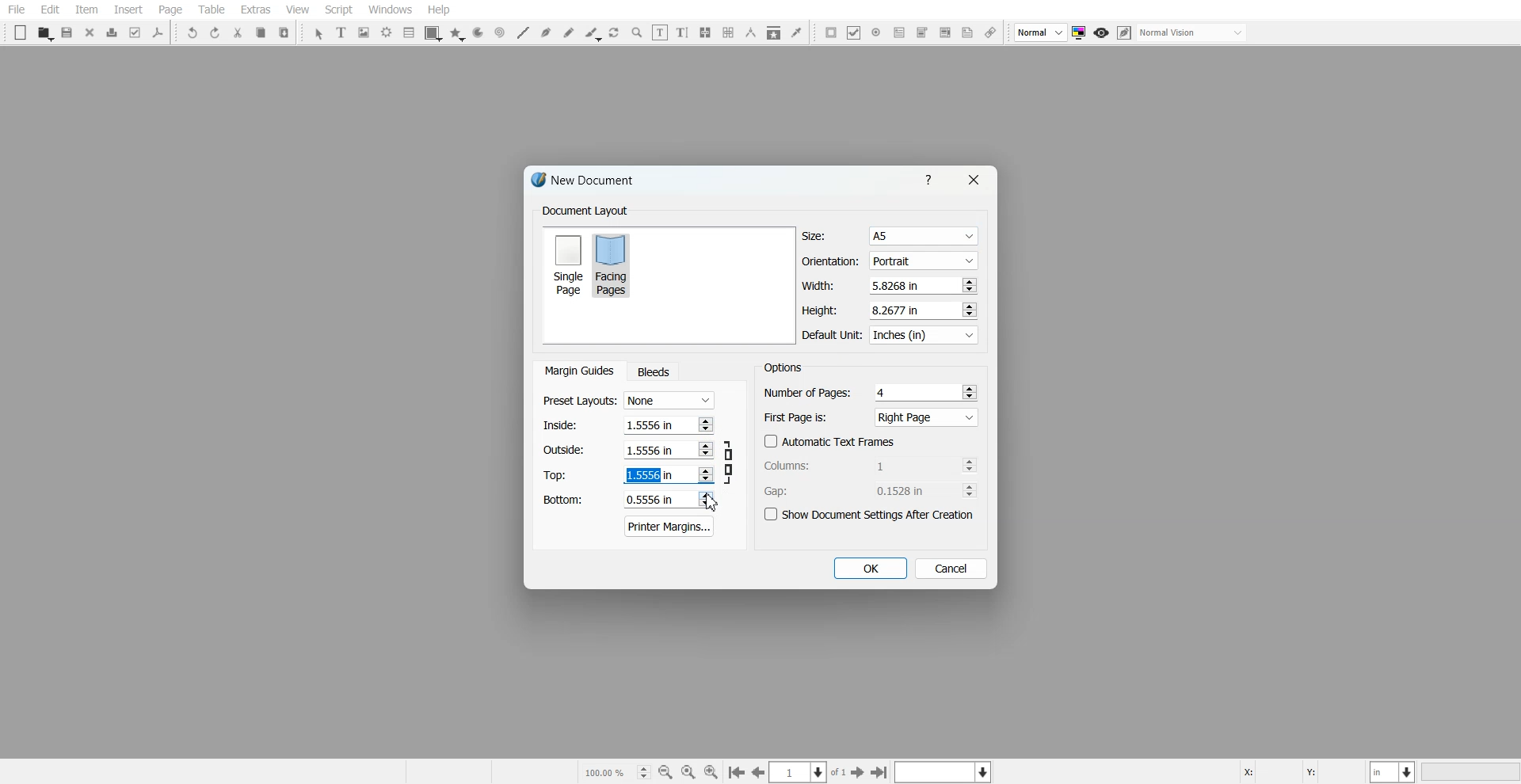 This screenshot has width=1521, height=784. I want to click on Orientation, so click(890, 261).